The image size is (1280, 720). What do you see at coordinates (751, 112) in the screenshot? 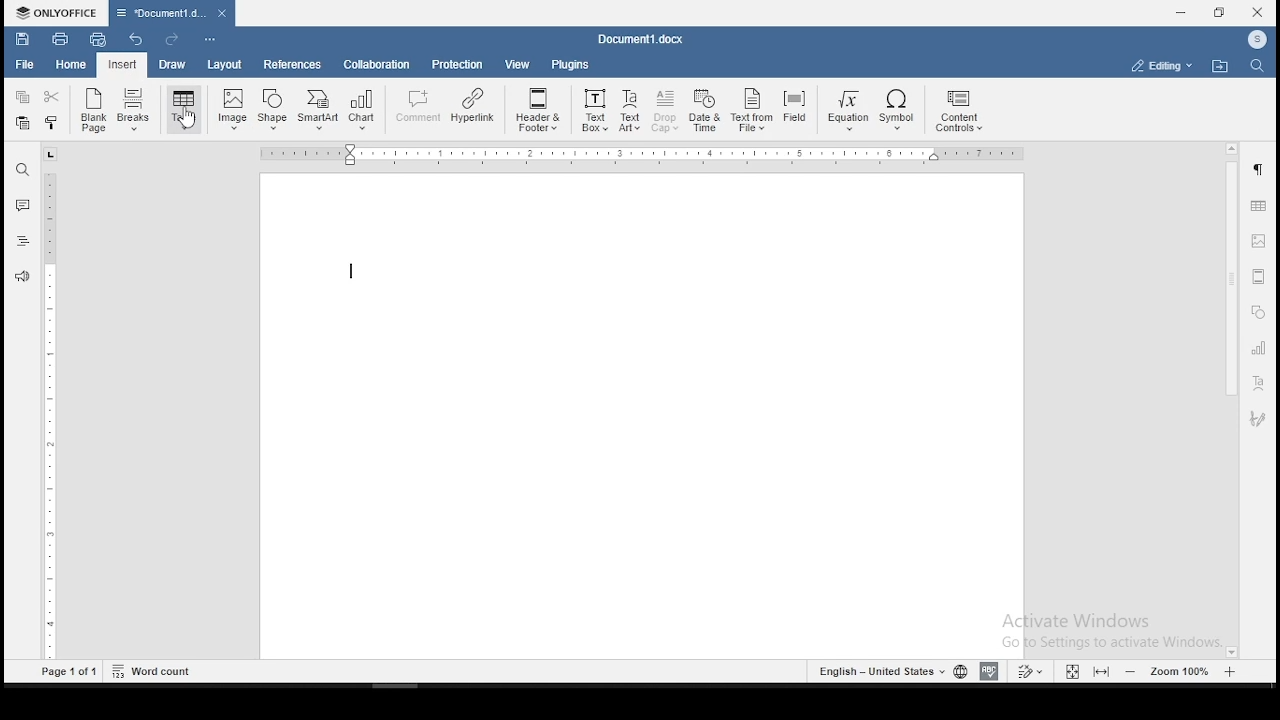
I see `Text From File` at bounding box center [751, 112].